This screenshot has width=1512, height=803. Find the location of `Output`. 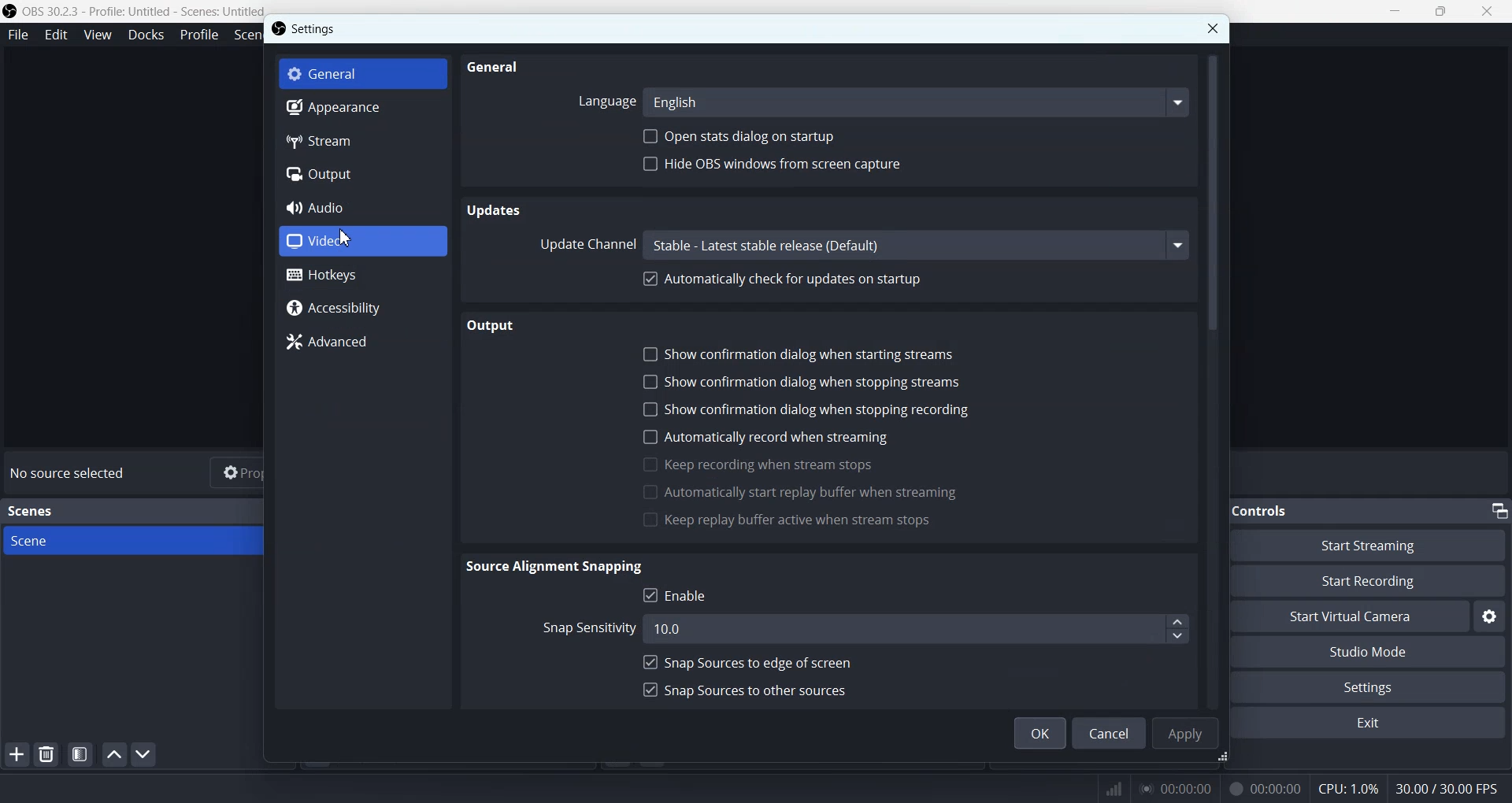

Output is located at coordinates (491, 325).